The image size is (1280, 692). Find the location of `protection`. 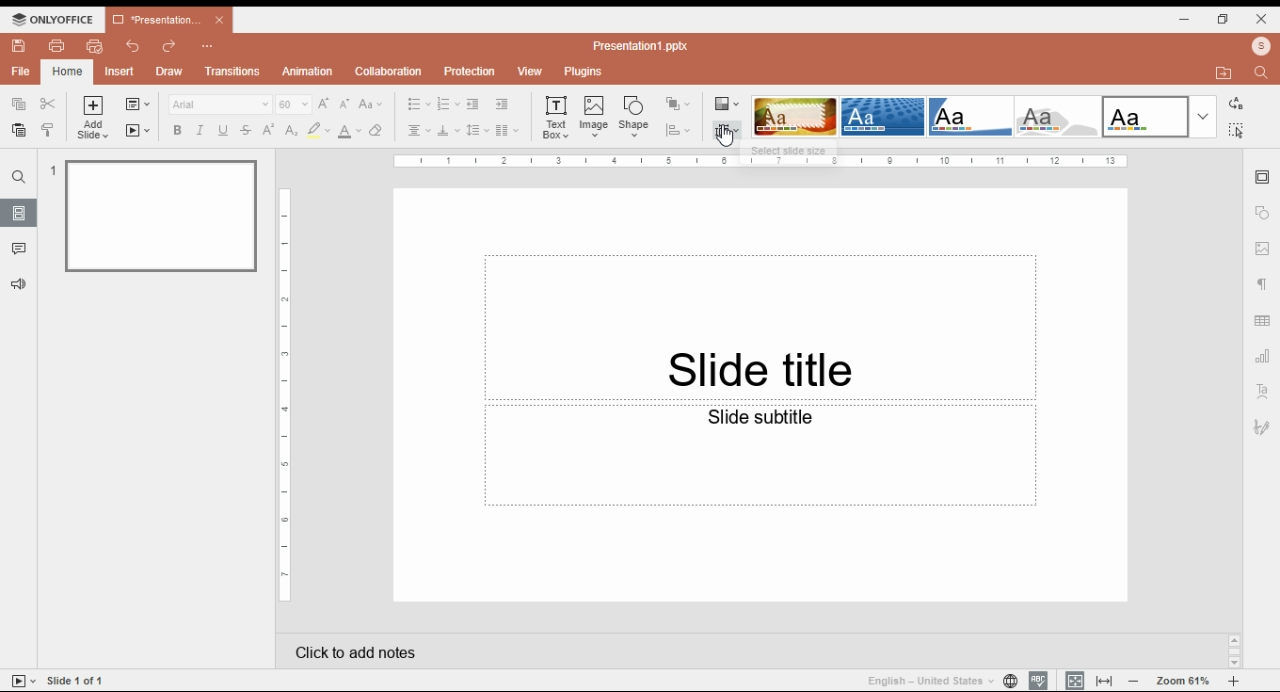

protection is located at coordinates (469, 72).